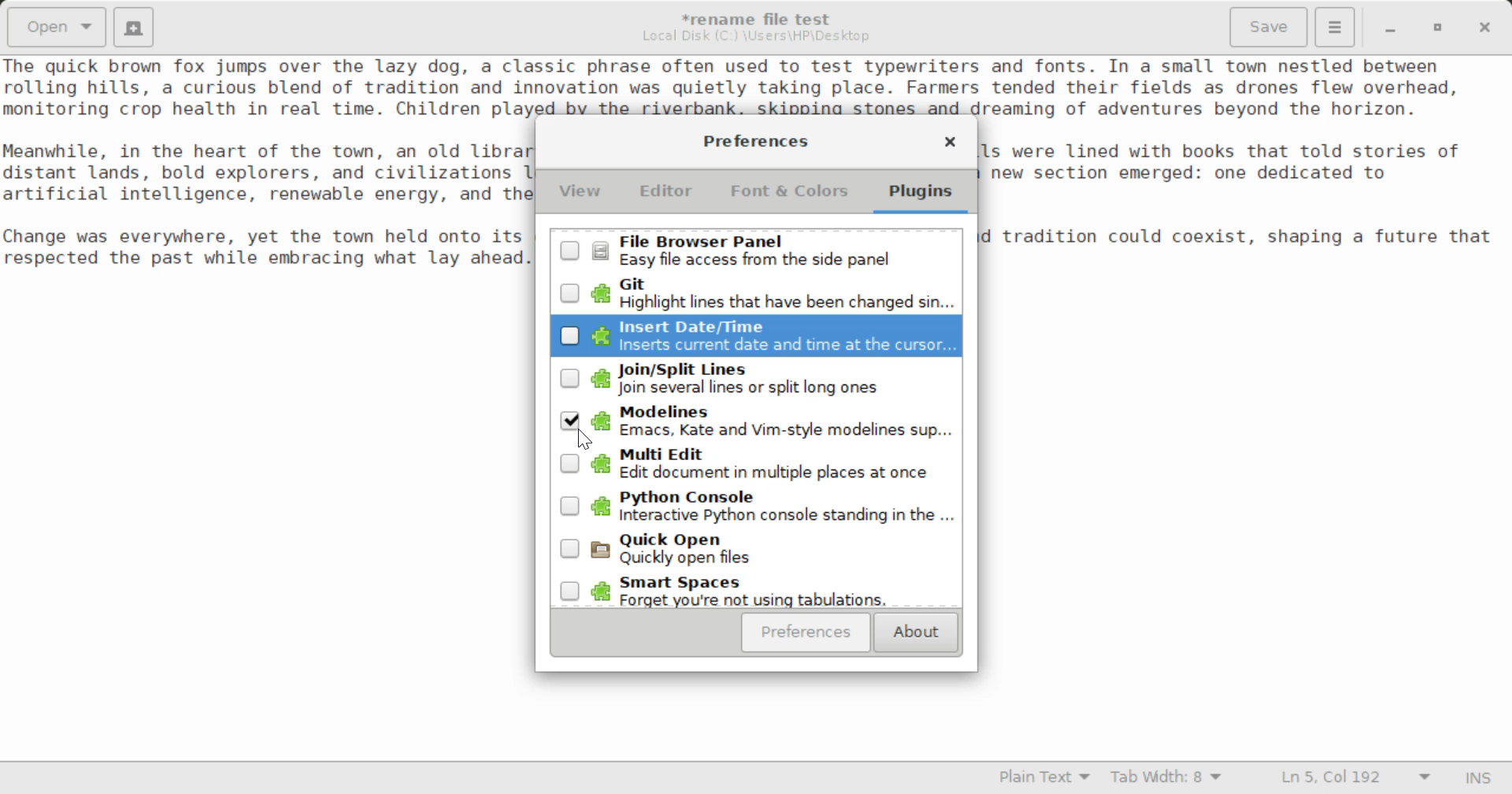 This screenshot has width=1512, height=794. Describe the element at coordinates (755, 511) in the screenshot. I see `Unselected Python Console` at that location.